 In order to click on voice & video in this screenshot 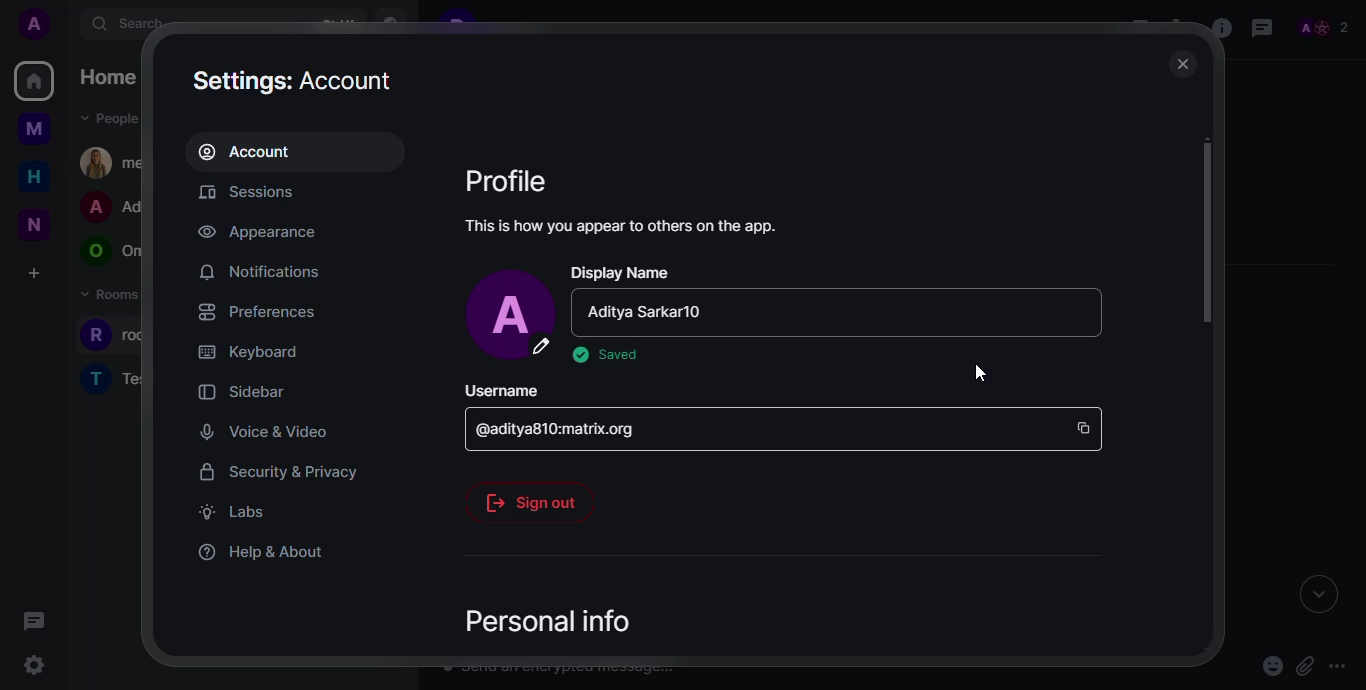, I will do `click(258, 431)`.